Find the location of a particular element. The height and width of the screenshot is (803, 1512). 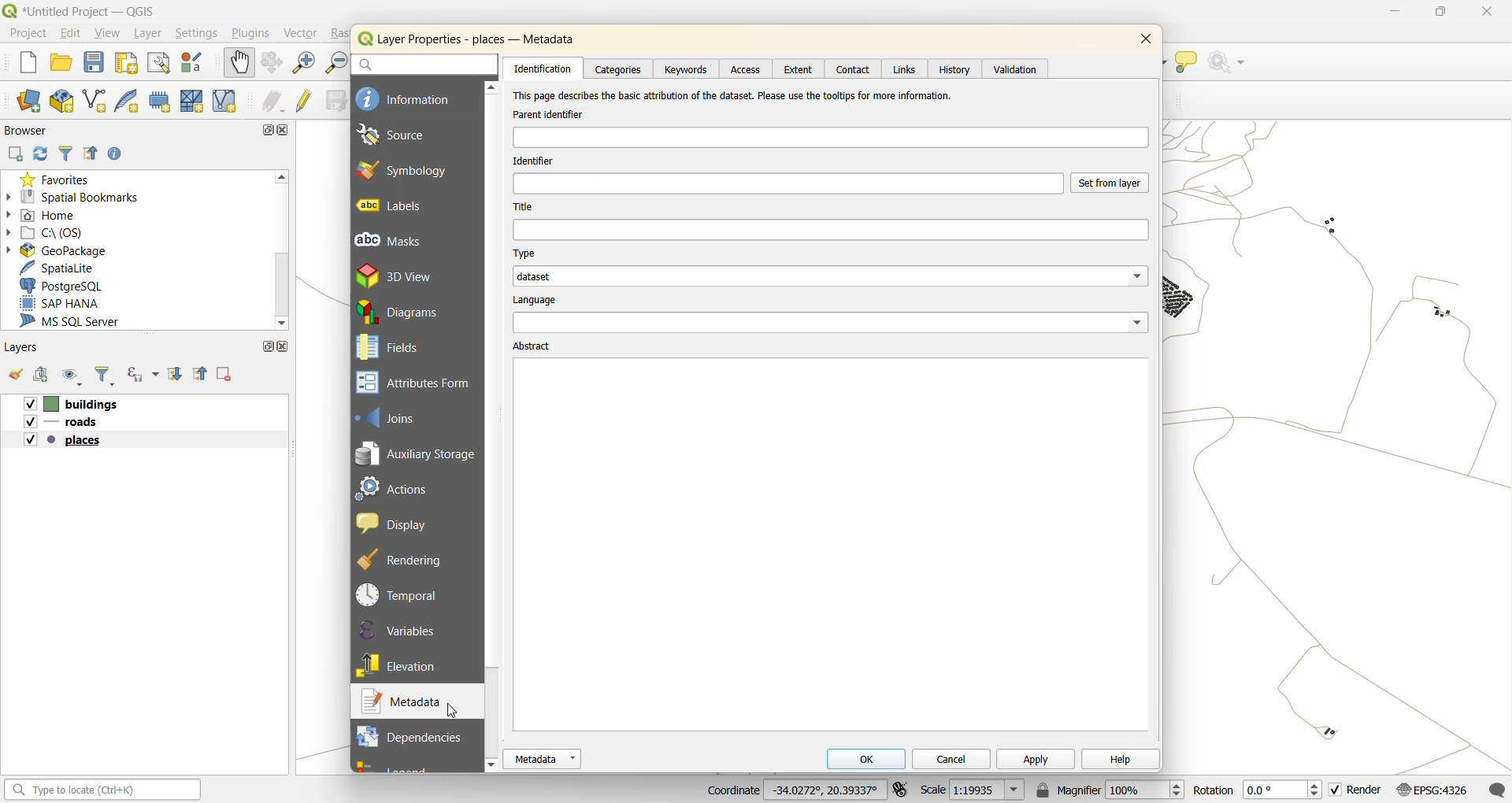

filter by expression is located at coordinates (144, 371).